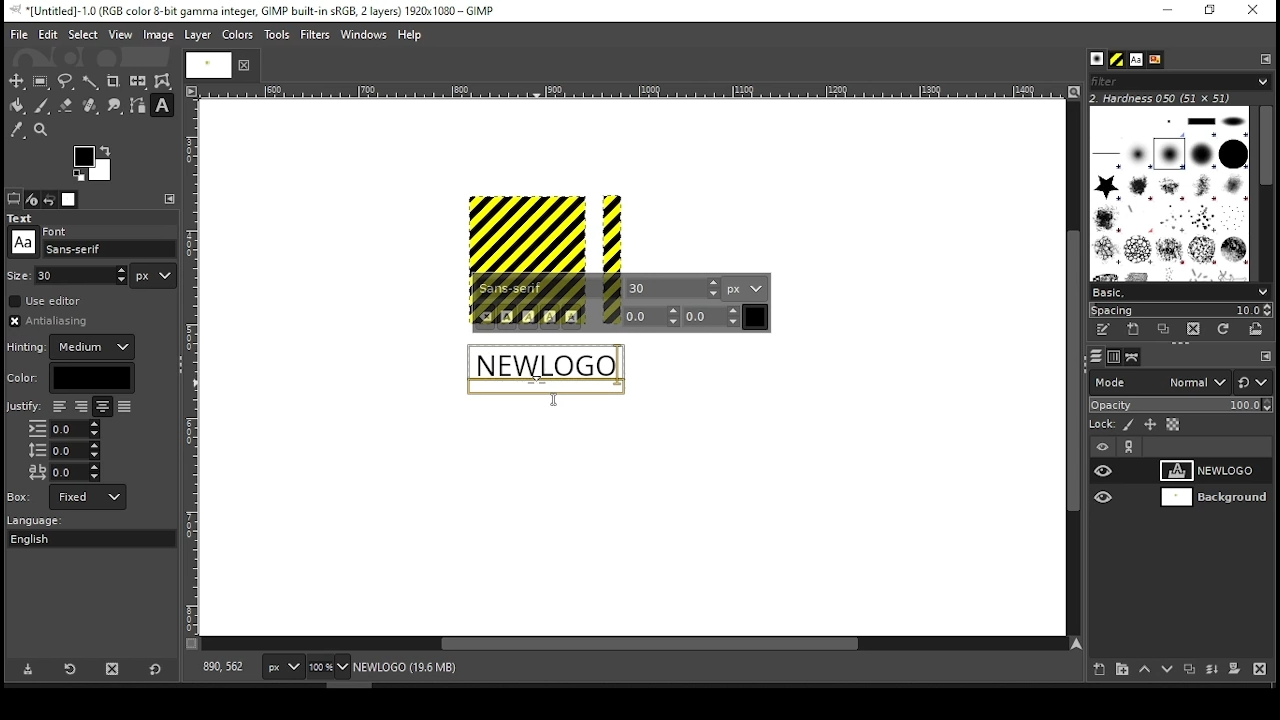 Image resolution: width=1280 pixels, height=720 pixels. I want to click on text tool, so click(162, 107).